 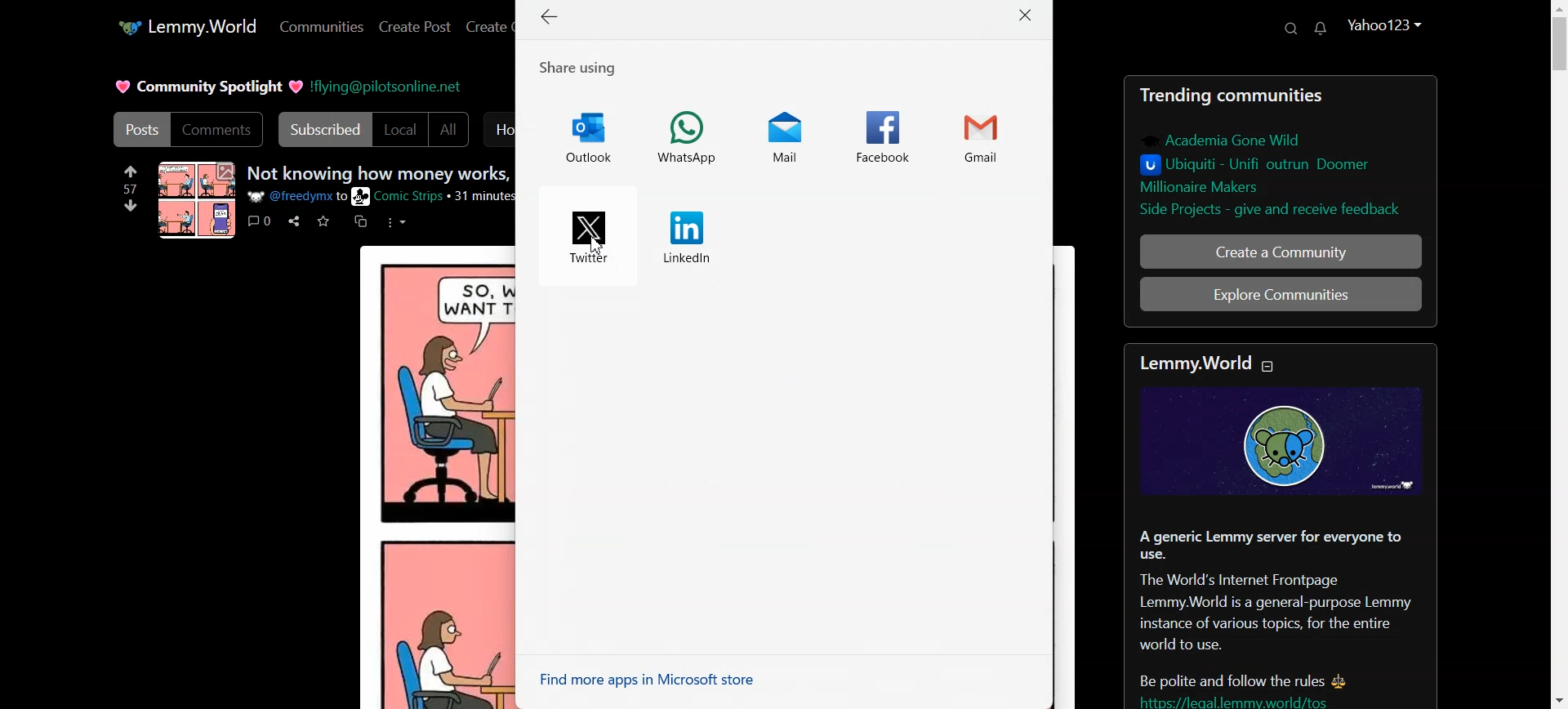 What do you see at coordinates (208, 87) in the screenshot?
I see `Text` at bounding box center [208, 87].